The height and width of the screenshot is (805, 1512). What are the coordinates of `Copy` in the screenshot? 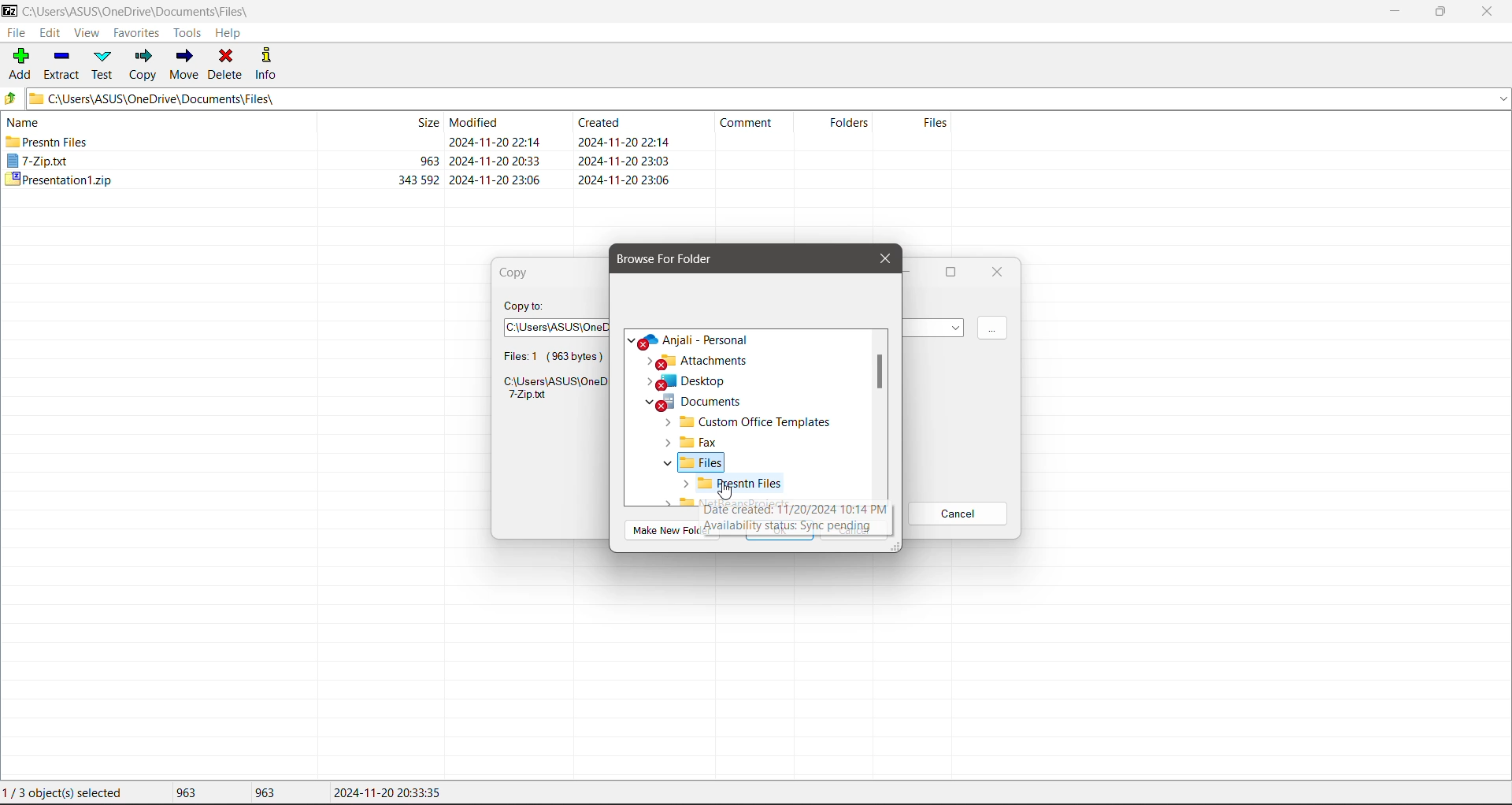 It's located at (143, 64).